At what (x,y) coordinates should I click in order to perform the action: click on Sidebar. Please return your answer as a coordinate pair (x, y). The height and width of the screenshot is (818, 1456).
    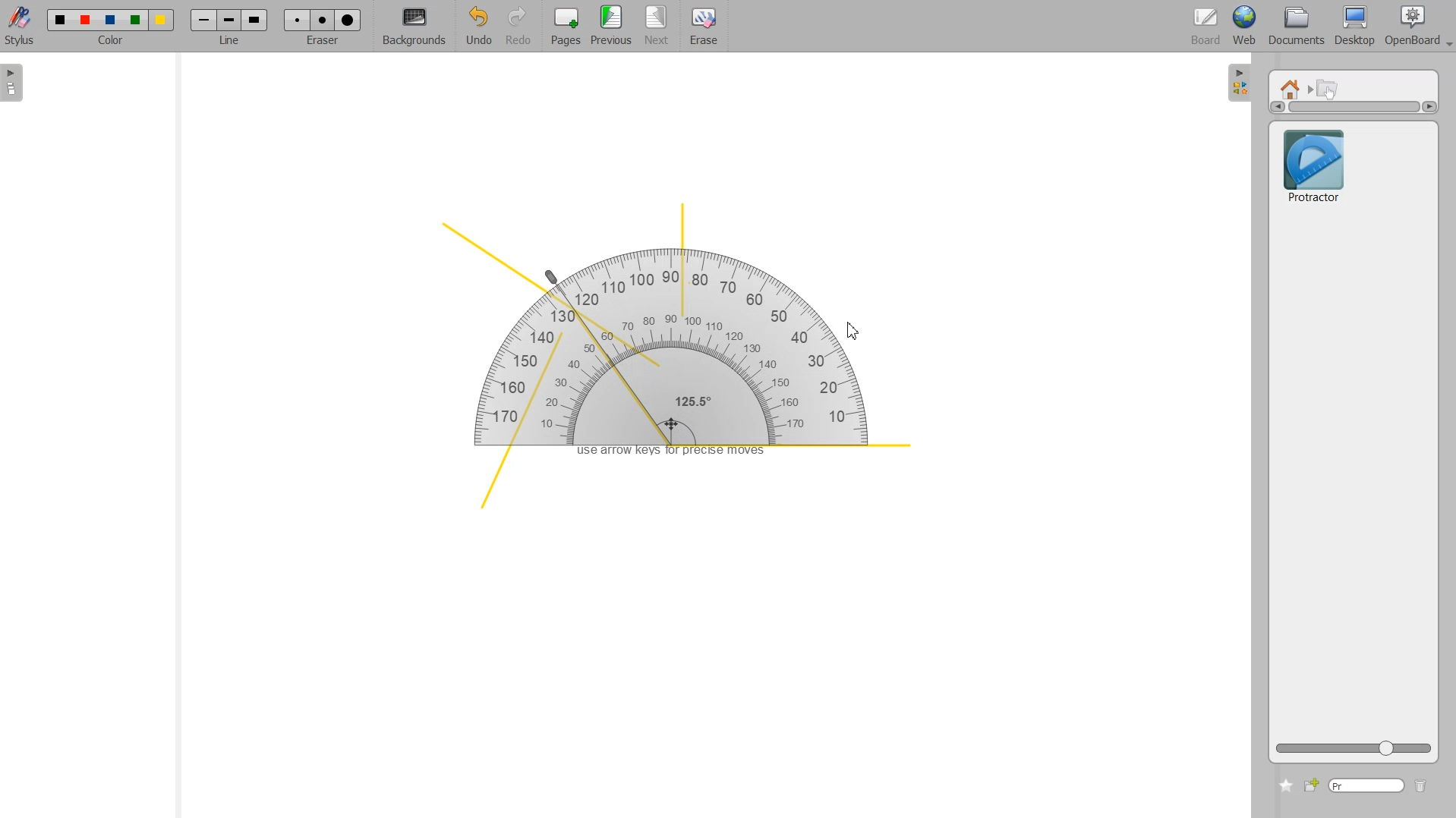
    Looking at the image, I should click on (1240, 81).